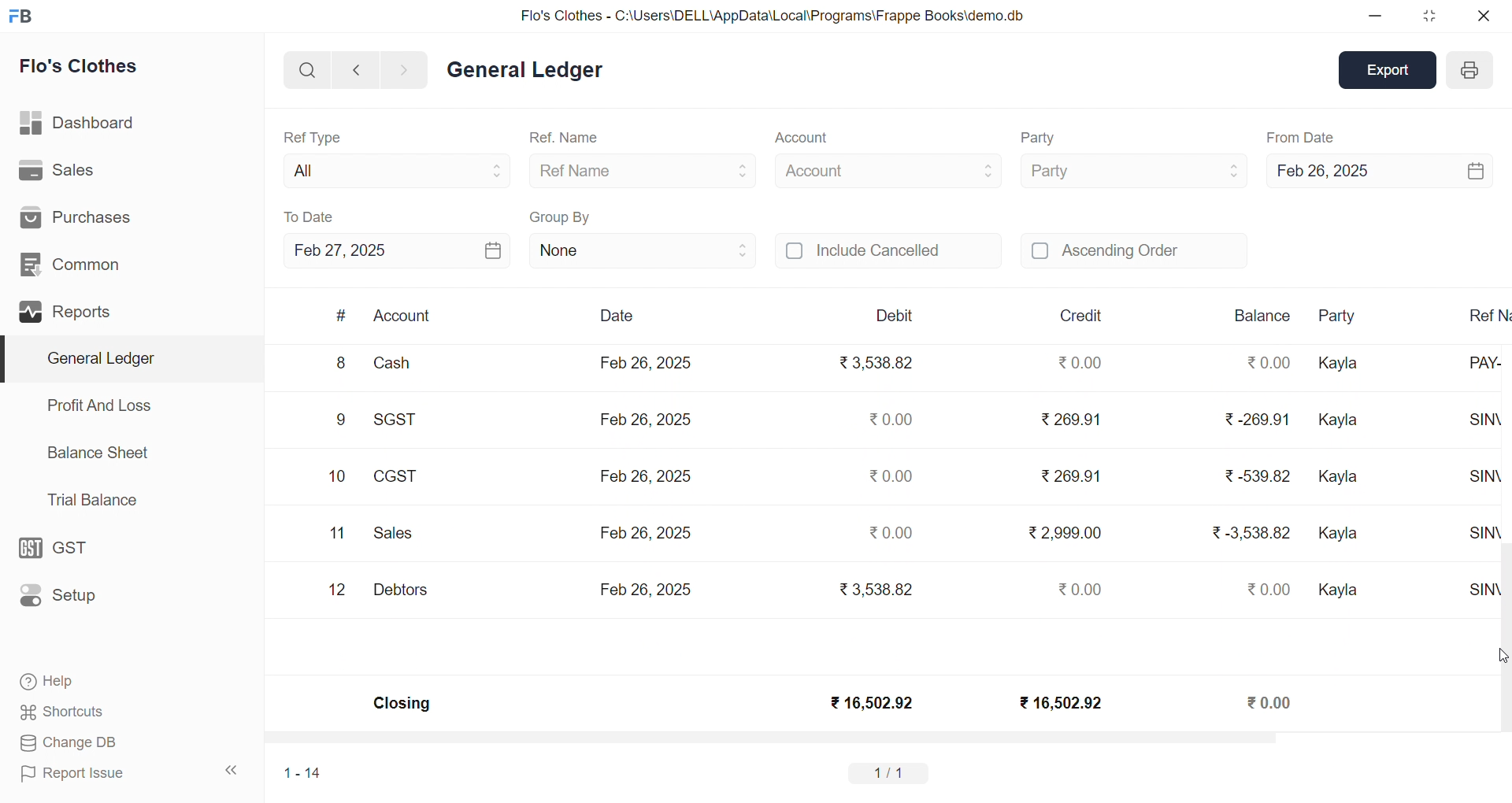 The image size is (1512, 803). Describe the element at coordinates (341, 422) in the screenshot. I see `9` at that location.